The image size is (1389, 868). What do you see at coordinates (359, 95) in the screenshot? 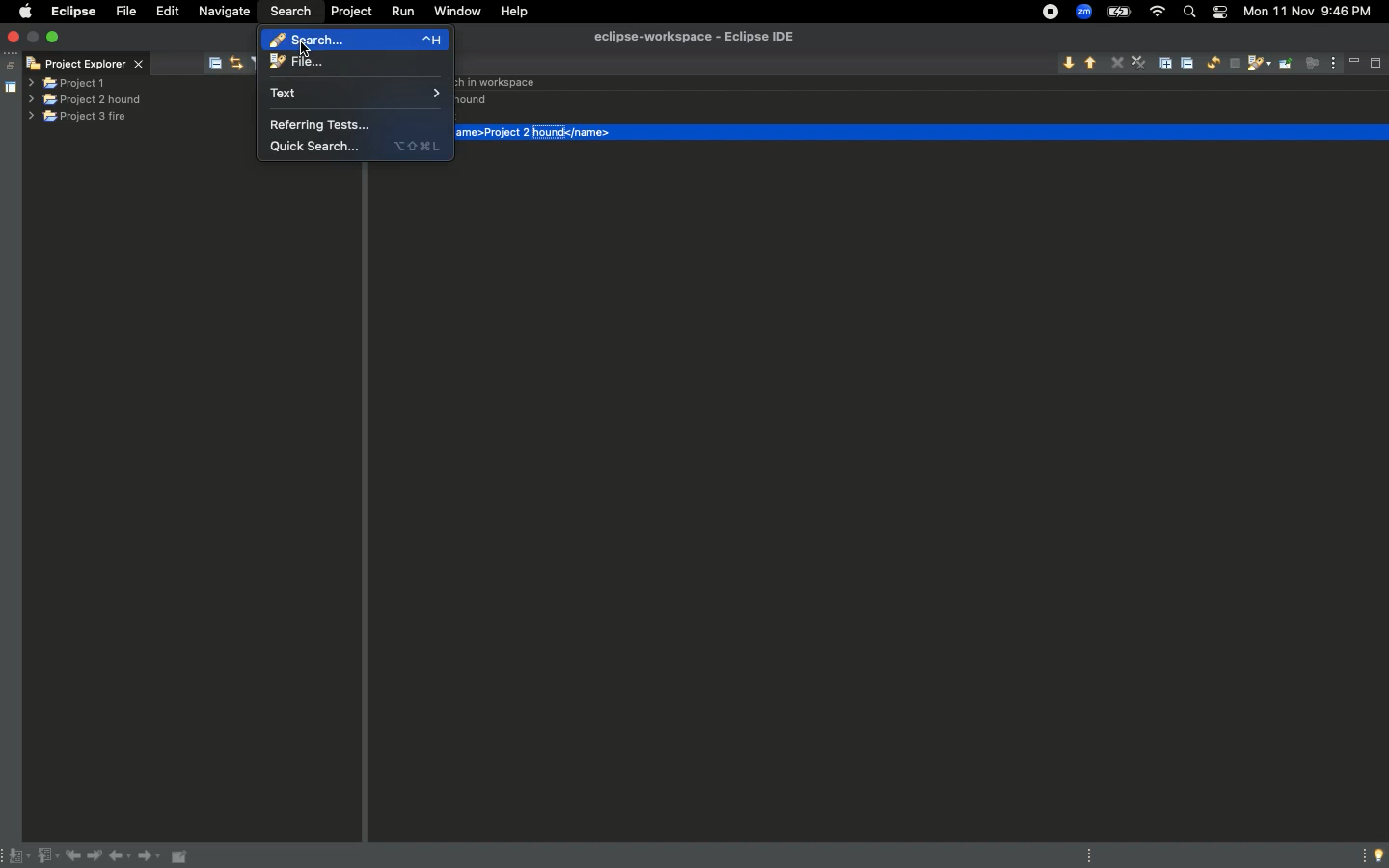
I see `Text` at bounding box center [359, 95].